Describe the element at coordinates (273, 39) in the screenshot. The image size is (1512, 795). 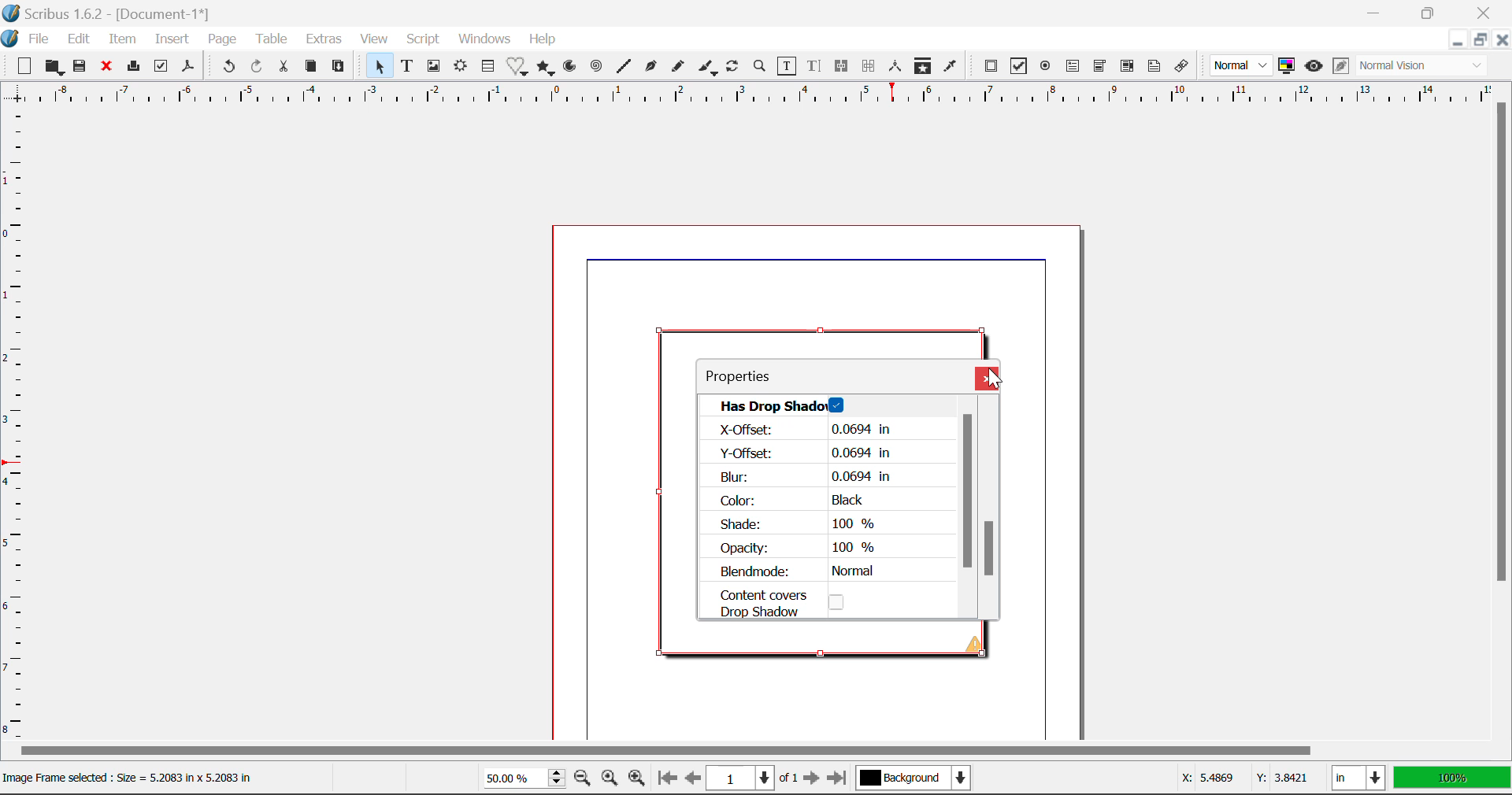
I see `Table` at that location.